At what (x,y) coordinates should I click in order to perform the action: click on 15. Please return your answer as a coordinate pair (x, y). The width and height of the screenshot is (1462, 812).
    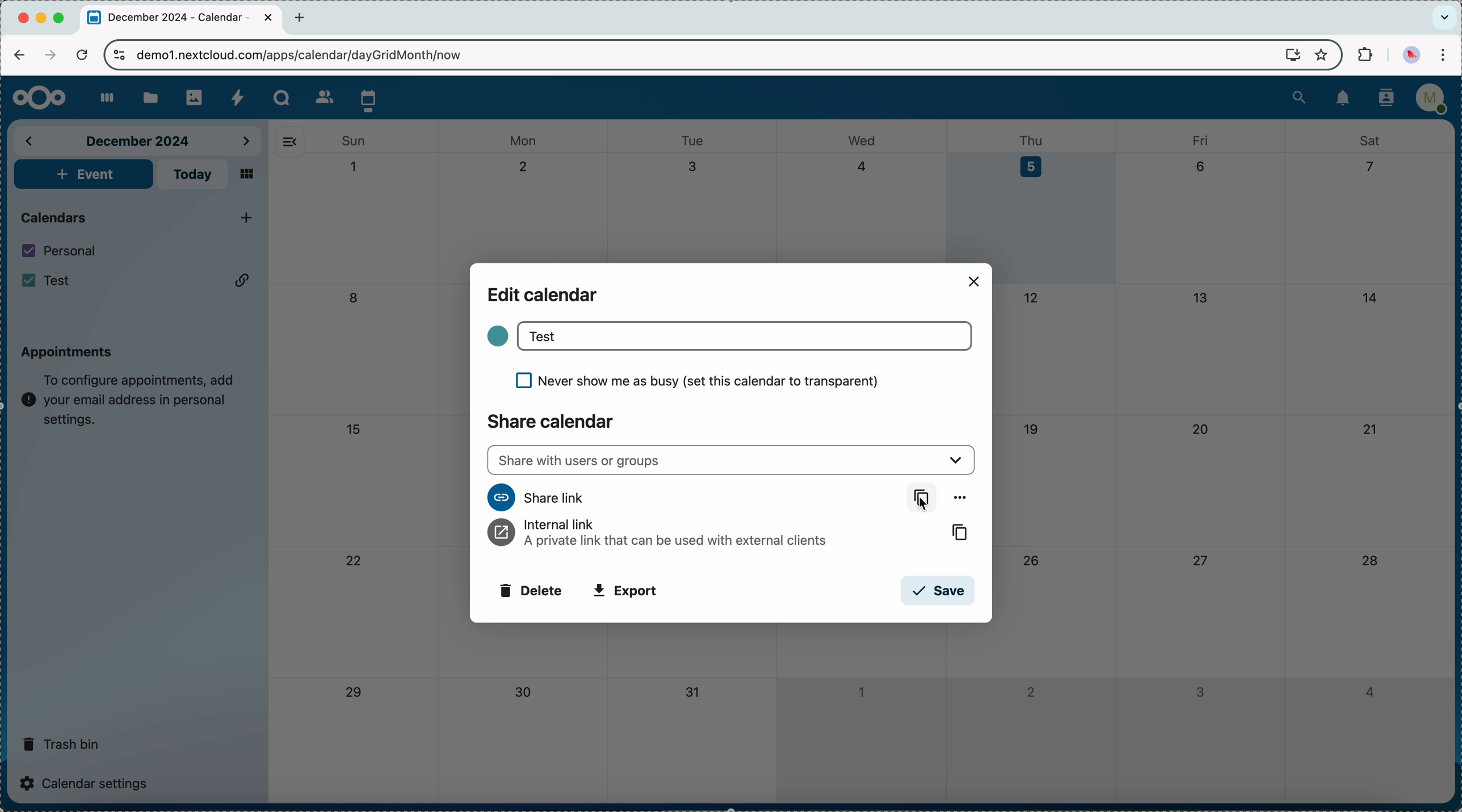
    Looking at the image, I should click on (352, 429).